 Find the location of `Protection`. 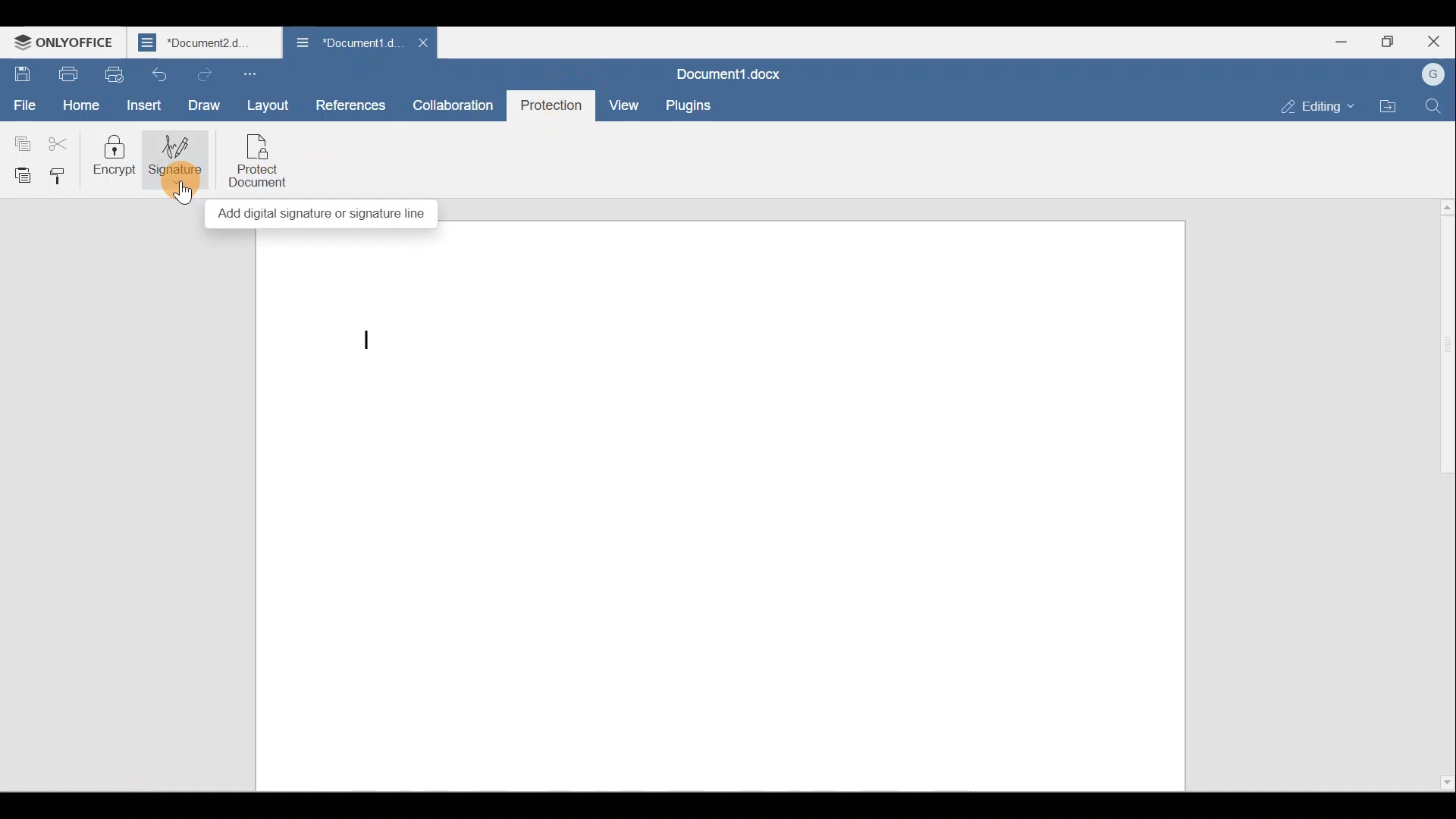

Protection is located at coordinates (551, 106).